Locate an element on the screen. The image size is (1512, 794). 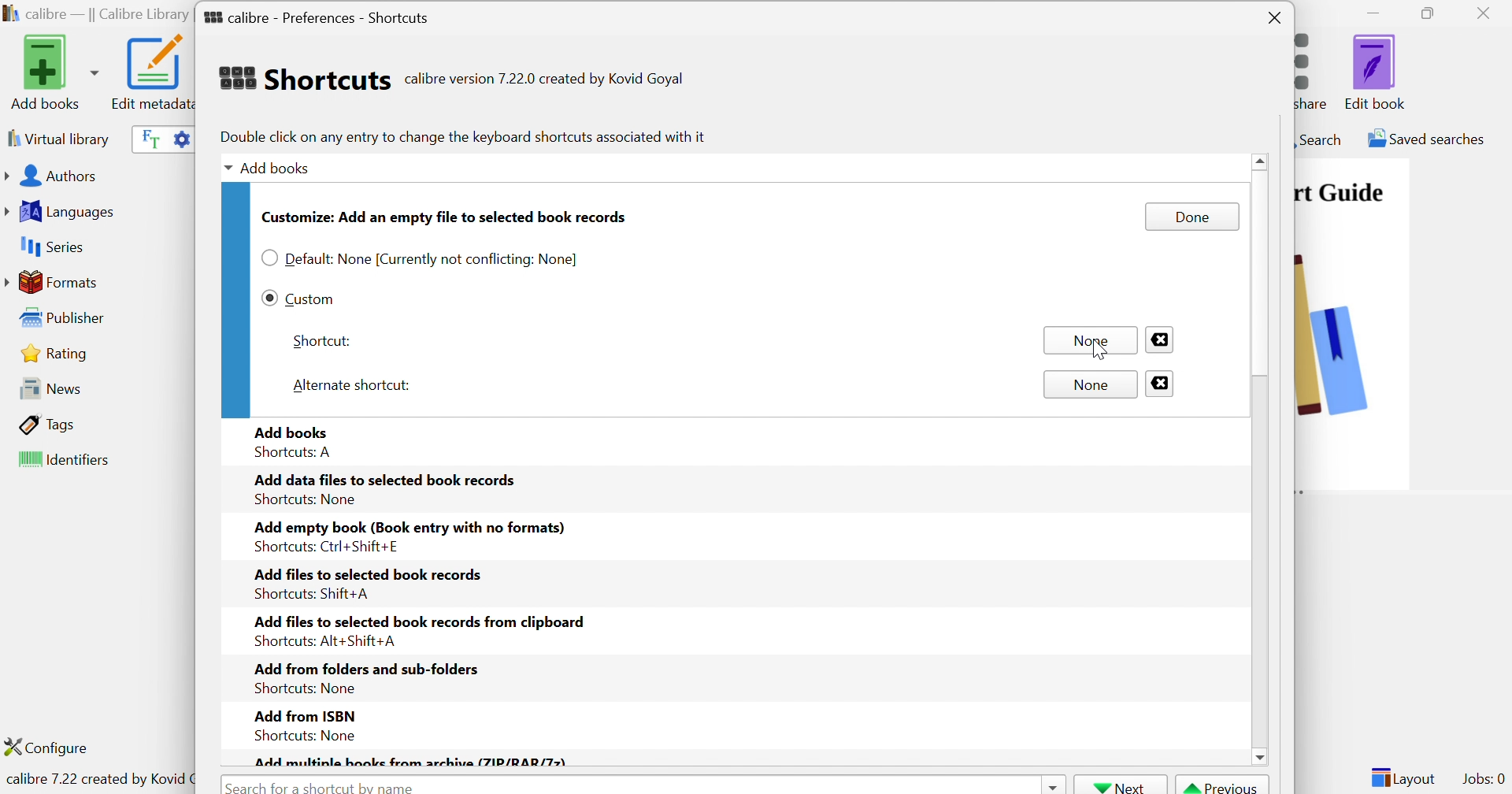
Close is located at coordinates (1275, 19).